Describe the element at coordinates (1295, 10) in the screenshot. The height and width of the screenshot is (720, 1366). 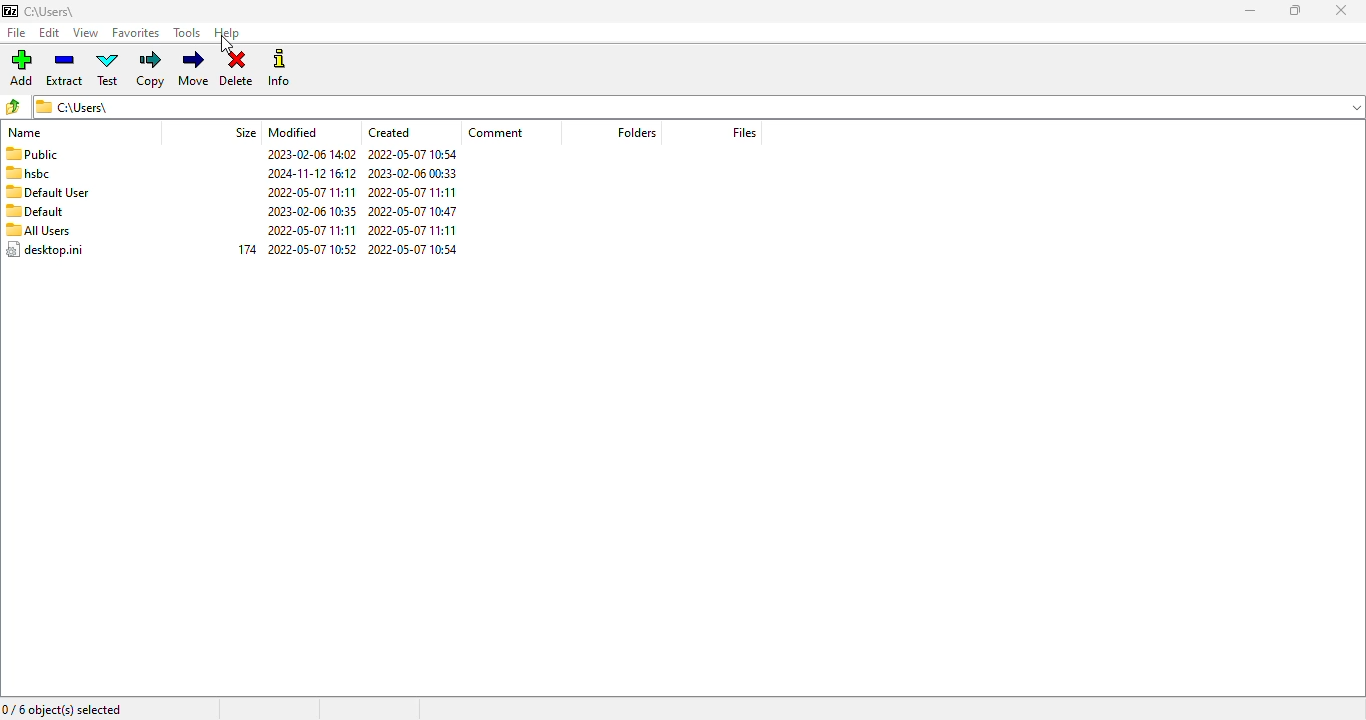
I see `maximize` at that location.